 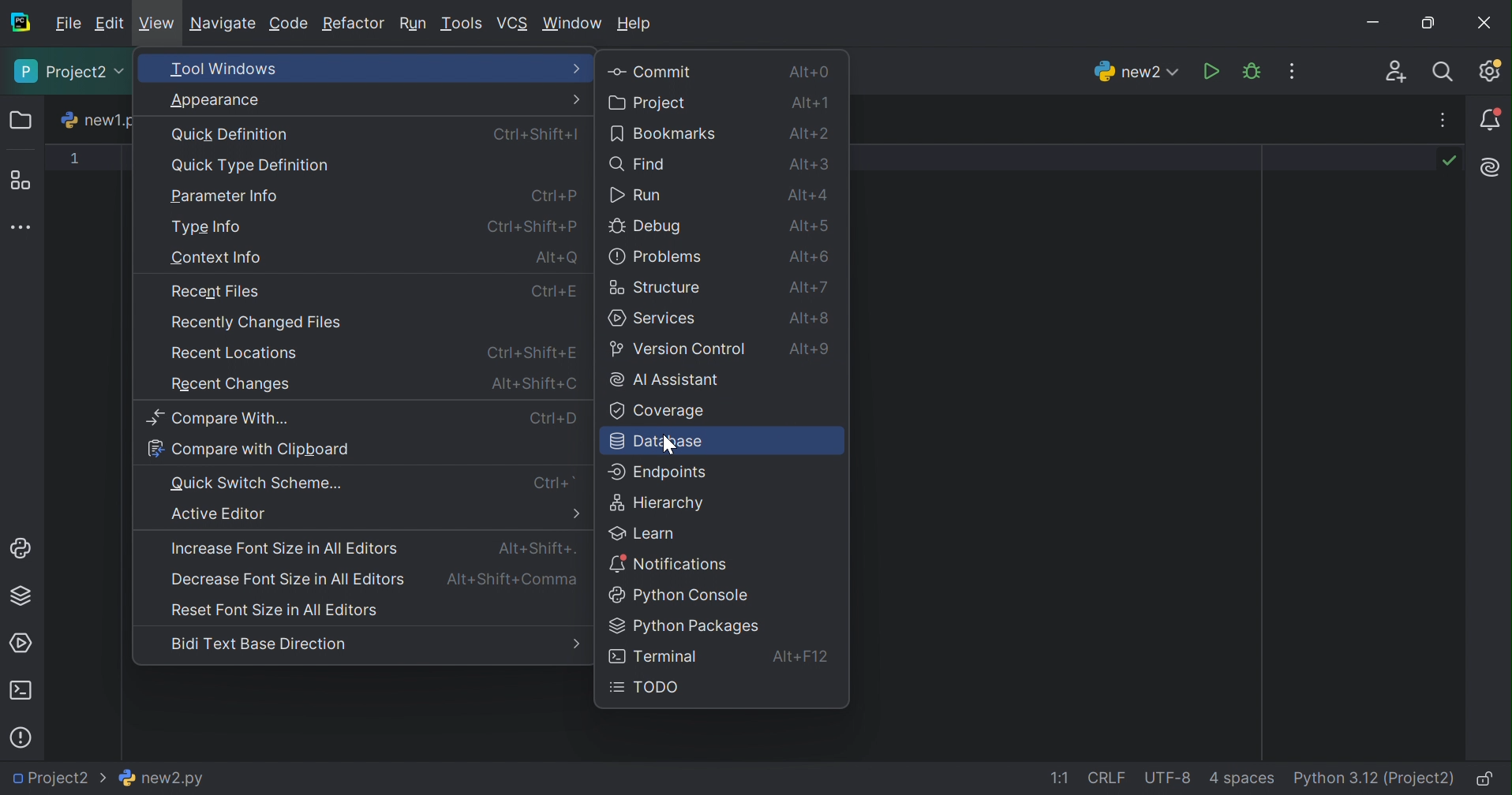 I want to click on AI Assistant, so click(x=1491, y=169).